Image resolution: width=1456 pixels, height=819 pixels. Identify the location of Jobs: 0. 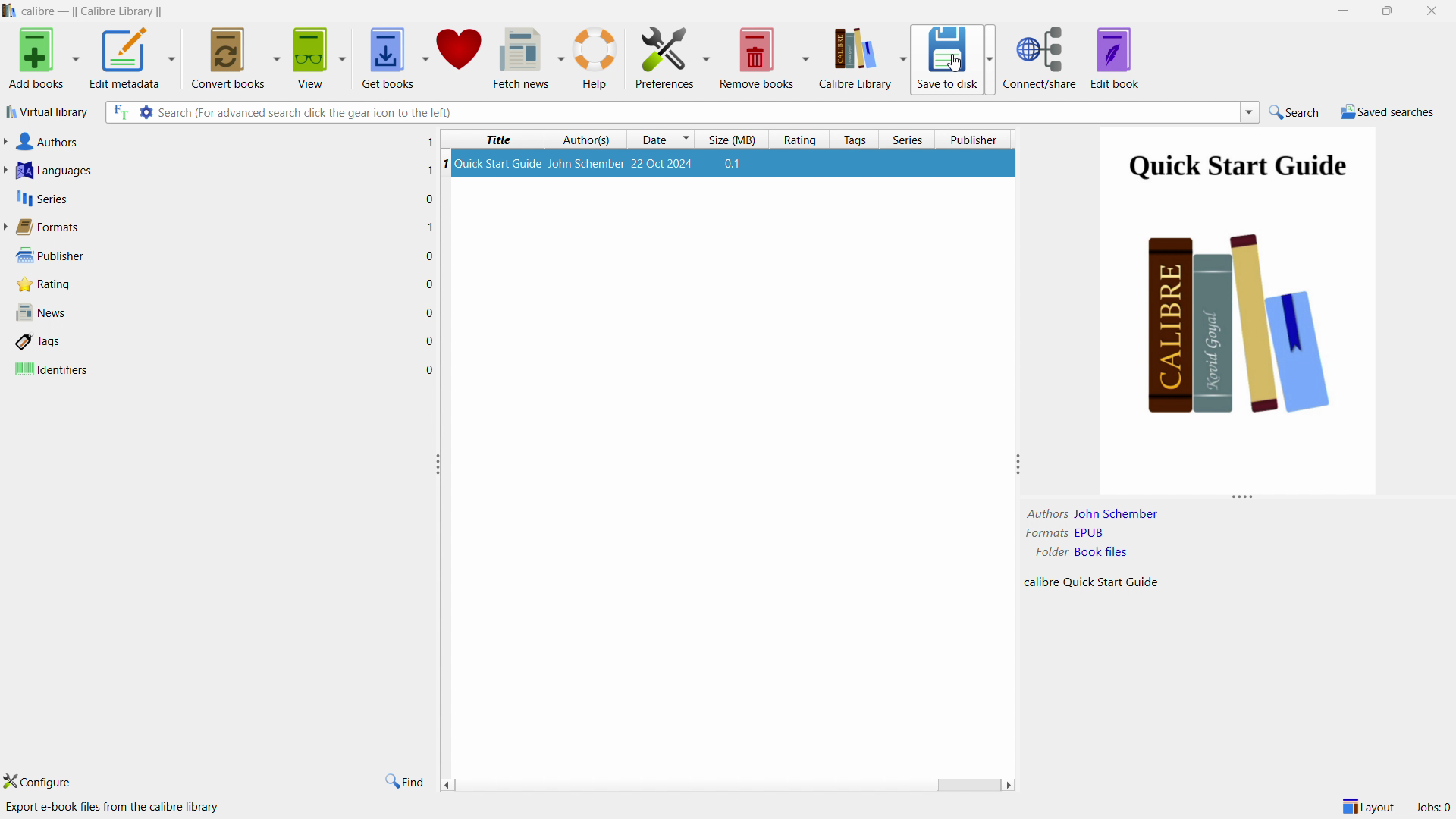
(1432, 805).